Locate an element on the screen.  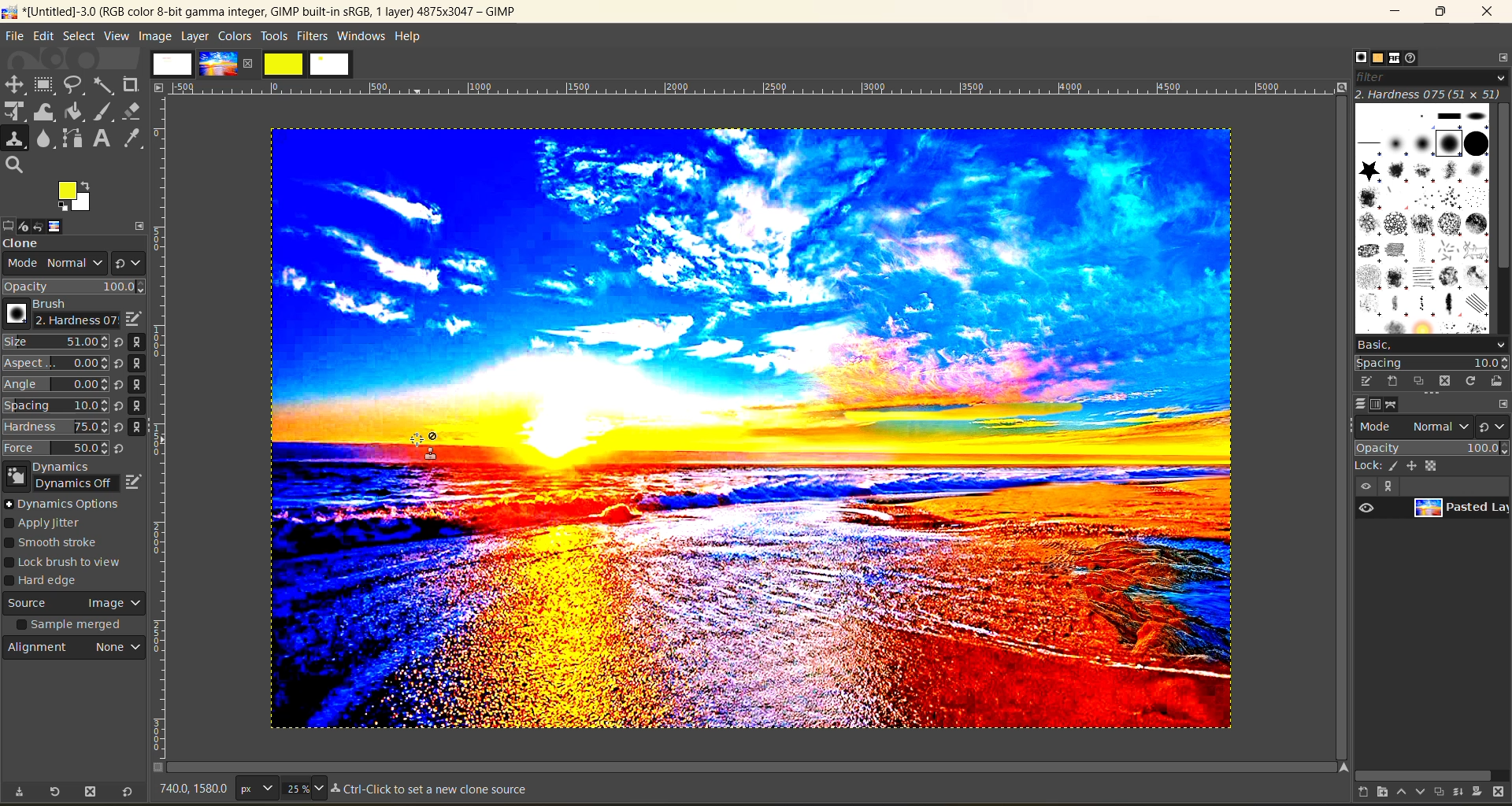
document history is located at coordinates (1417, 58).